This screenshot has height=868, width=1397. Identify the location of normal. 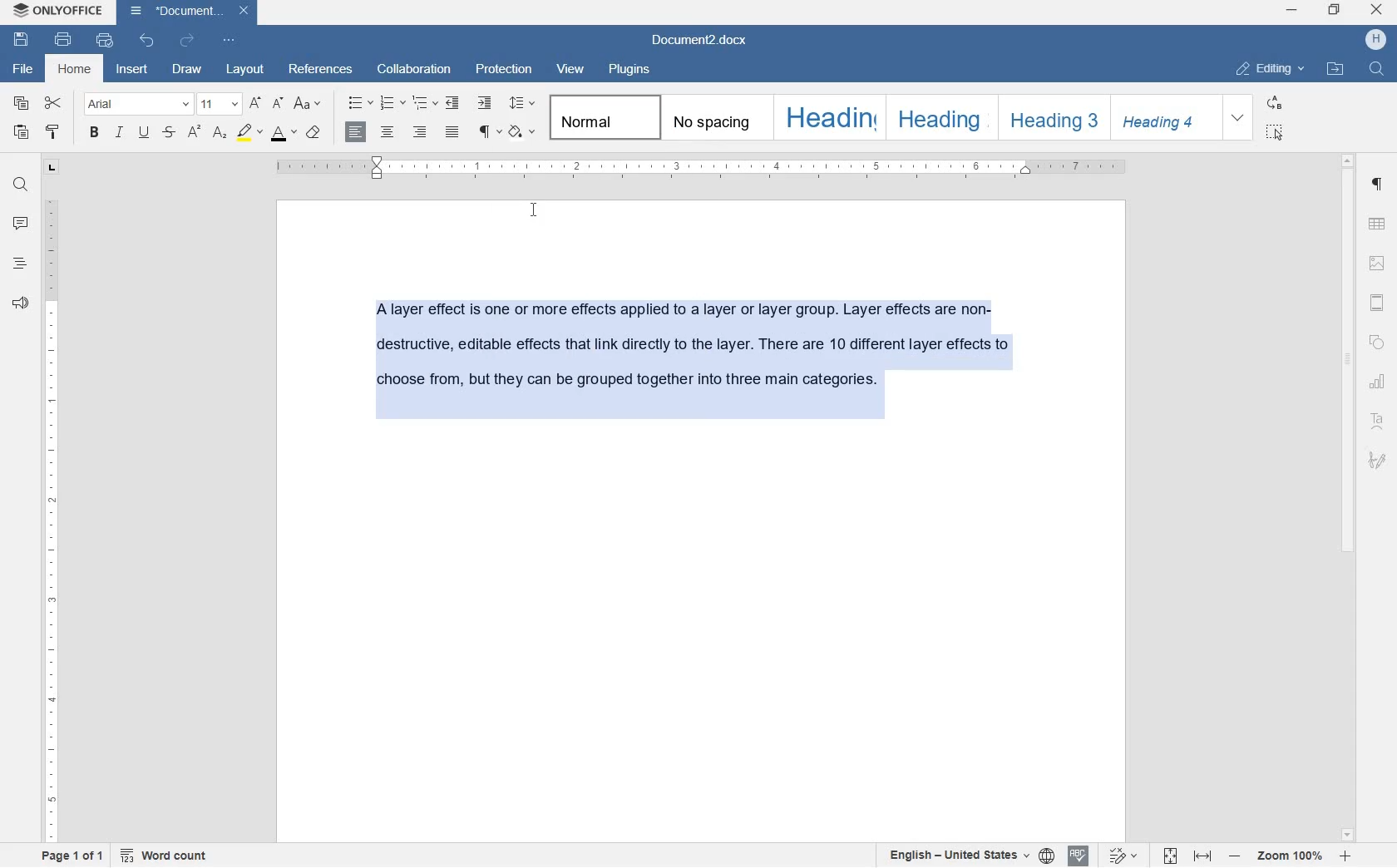
(601, 118).